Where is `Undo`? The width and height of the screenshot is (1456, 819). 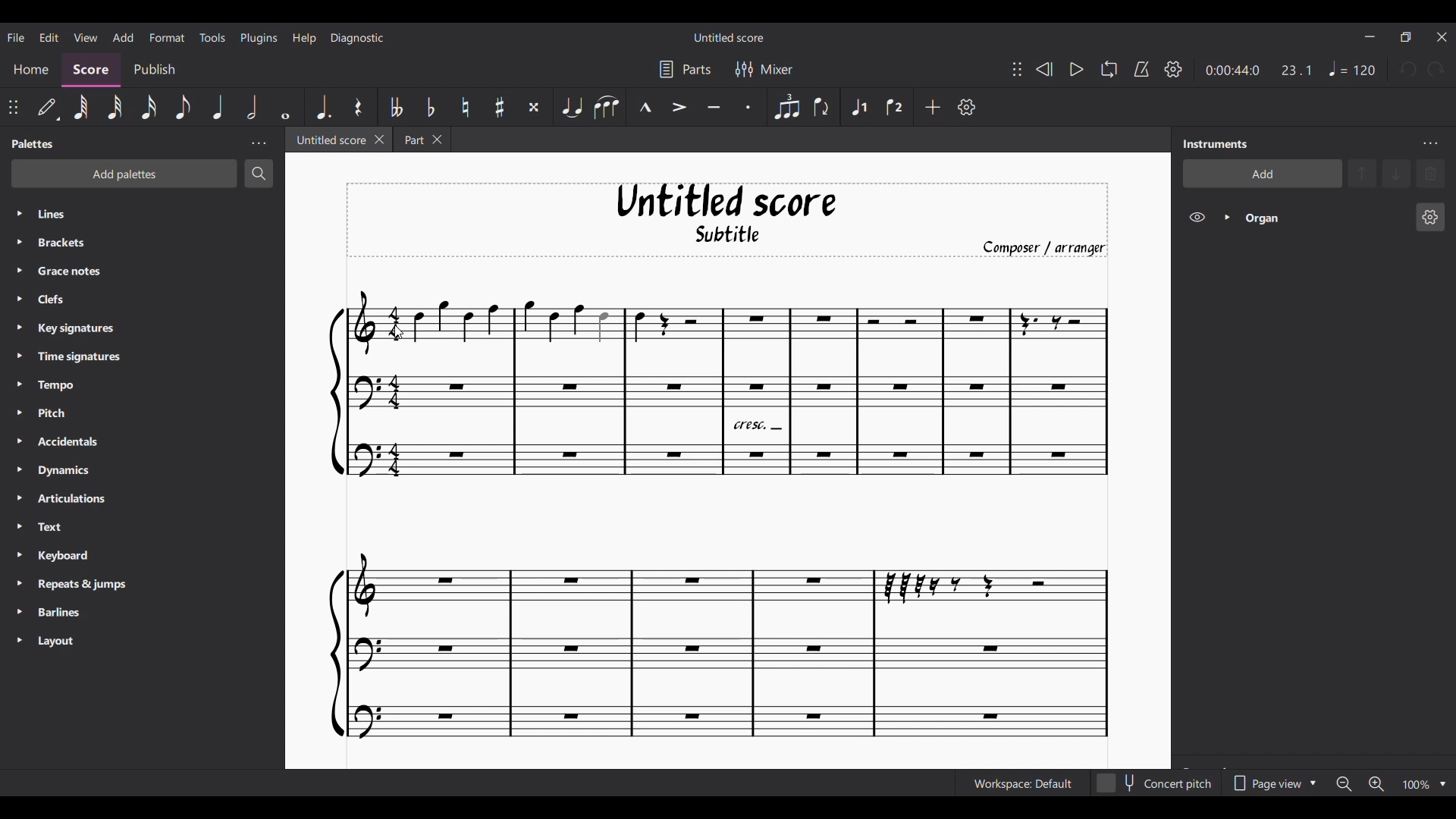
Undo is located at coordinates (1410, 69).